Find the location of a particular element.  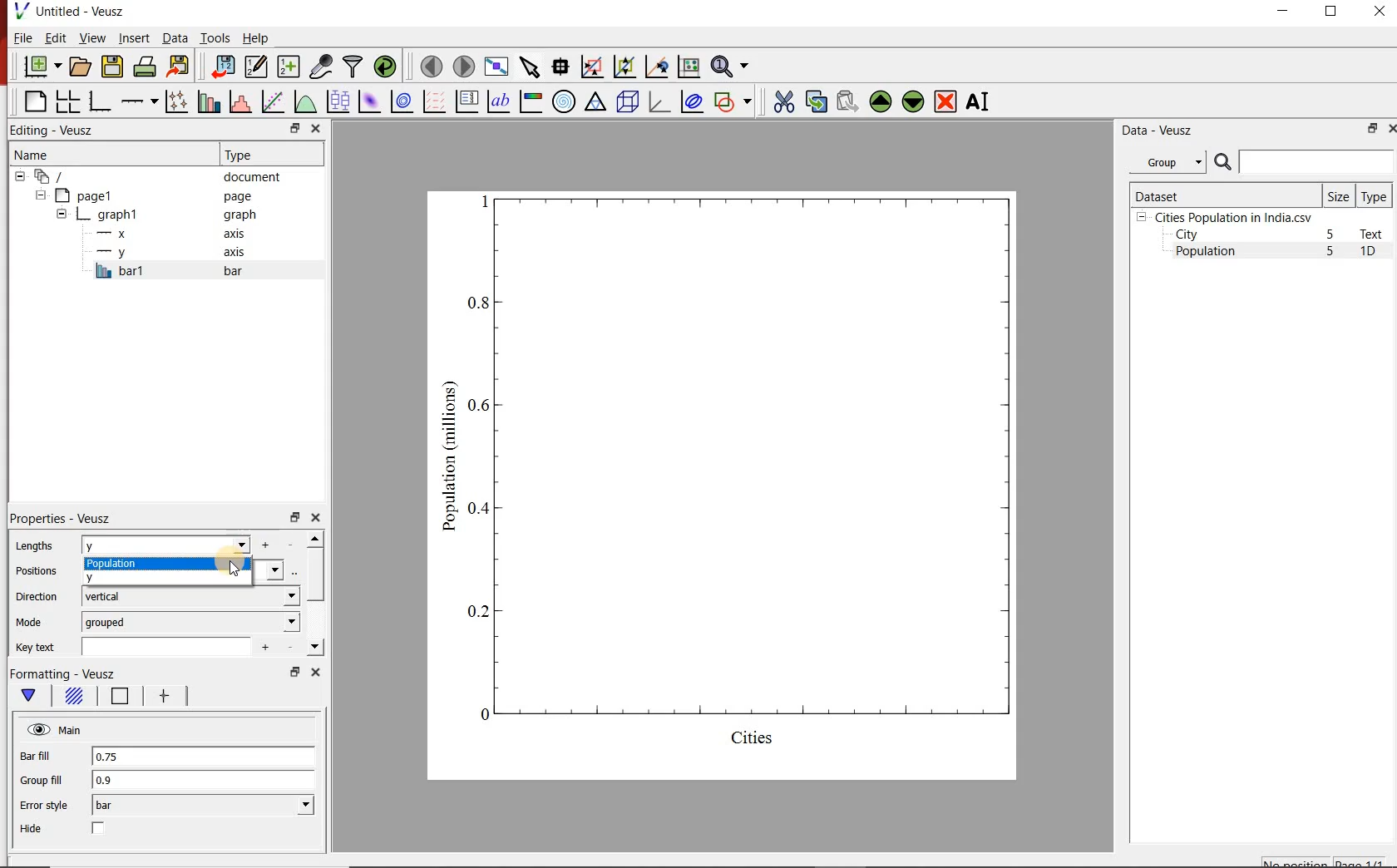

click or draw a rectangle to zoom graph indexes is located at coordinates (590, 66).